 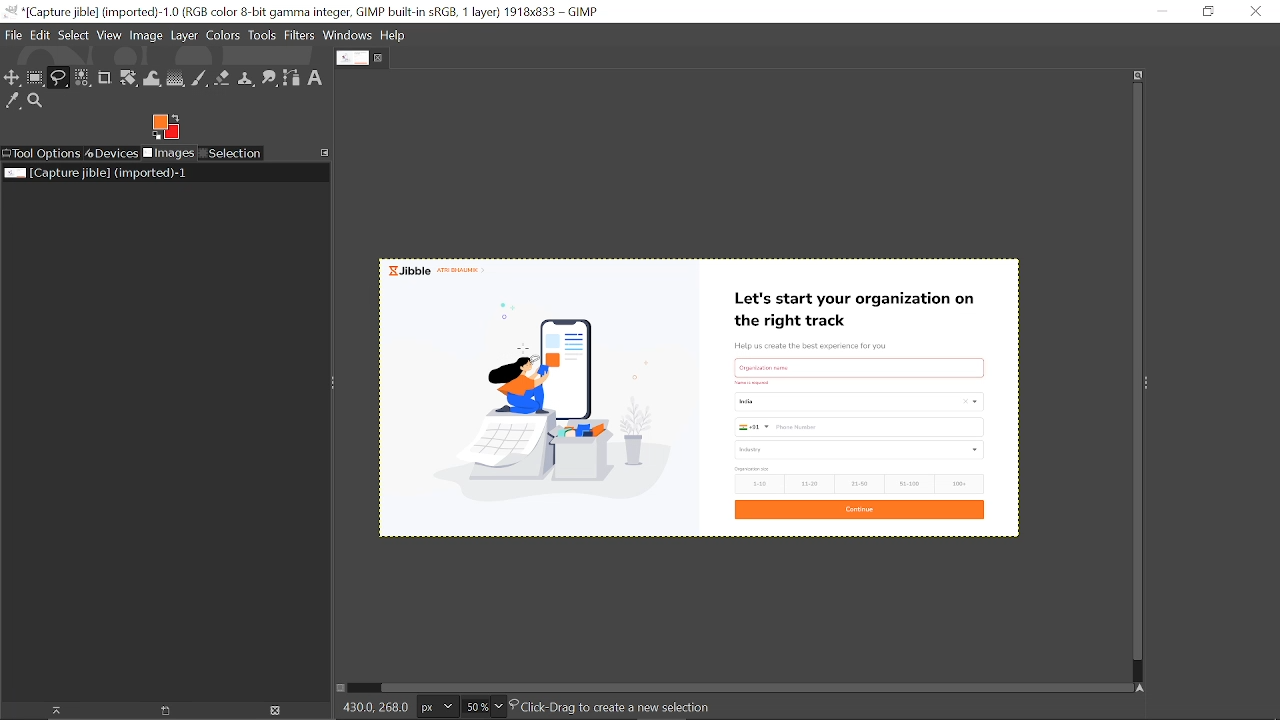 I want to click on Filters, so click(x=300, y=36).